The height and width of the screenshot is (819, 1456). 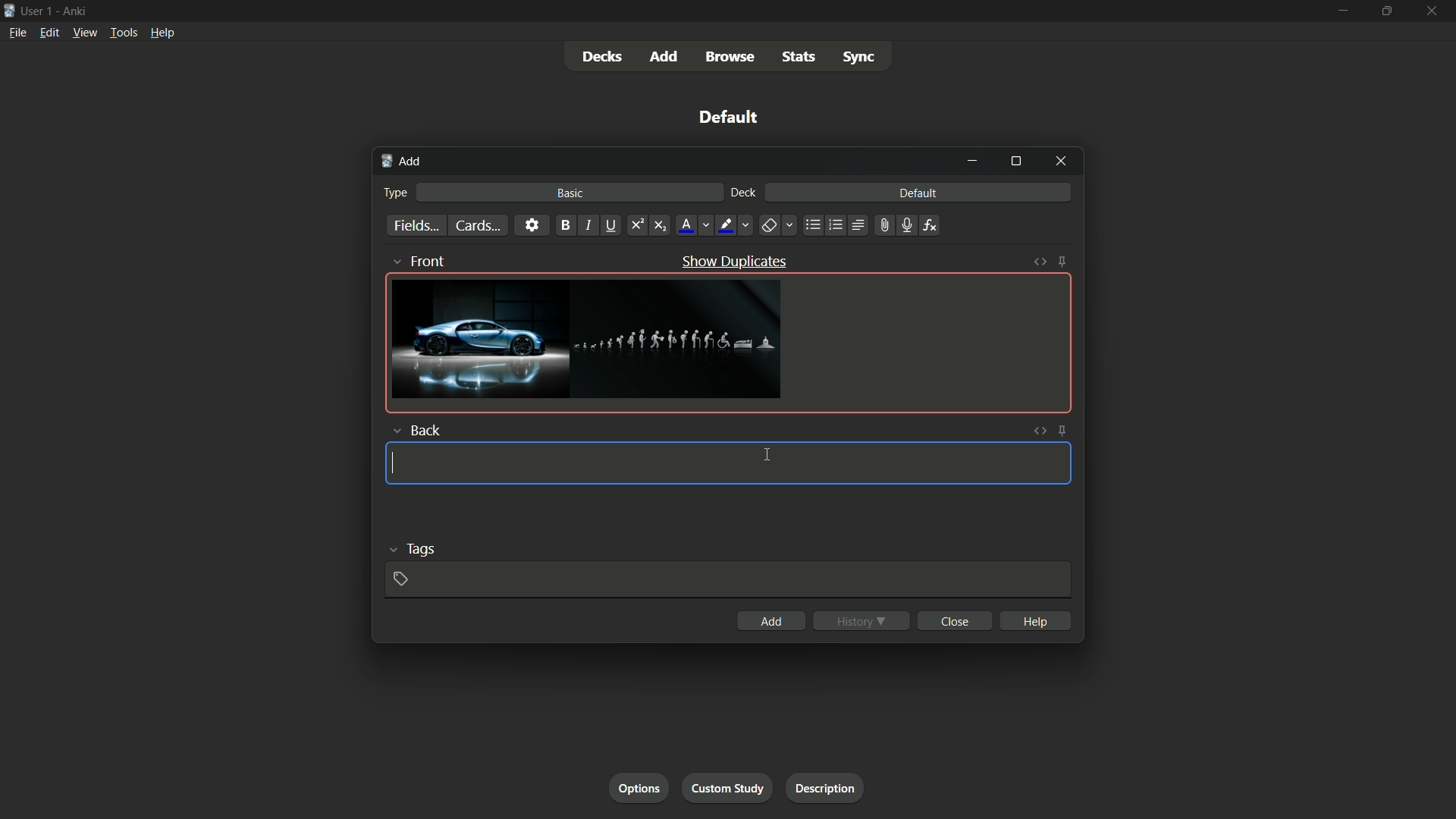 What do you see at coordinates (908, 226) in the screenshot?
I see `record audio` at bounding box center [908, 226].